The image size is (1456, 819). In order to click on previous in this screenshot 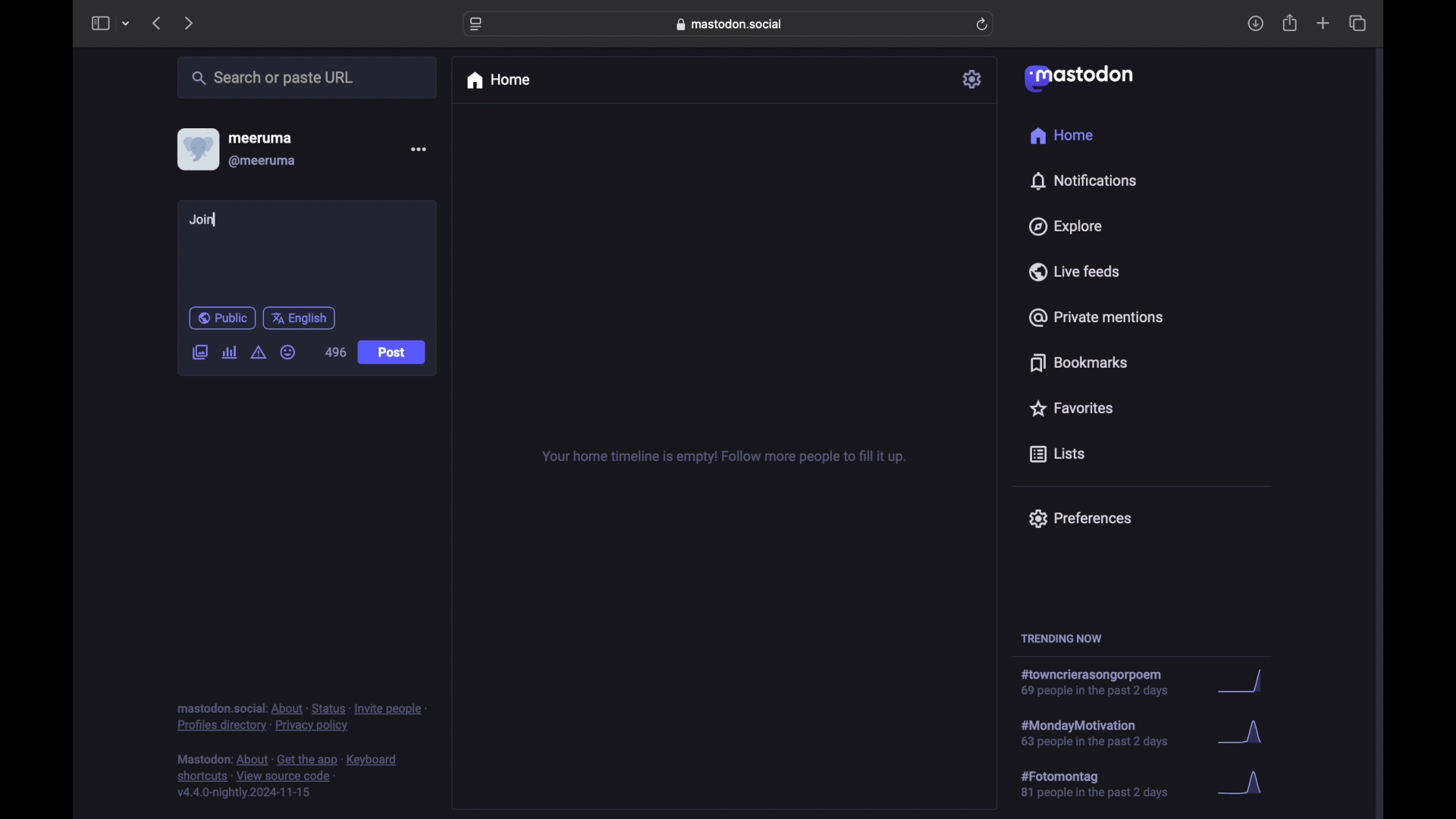, I will do `click(156, 23)`.